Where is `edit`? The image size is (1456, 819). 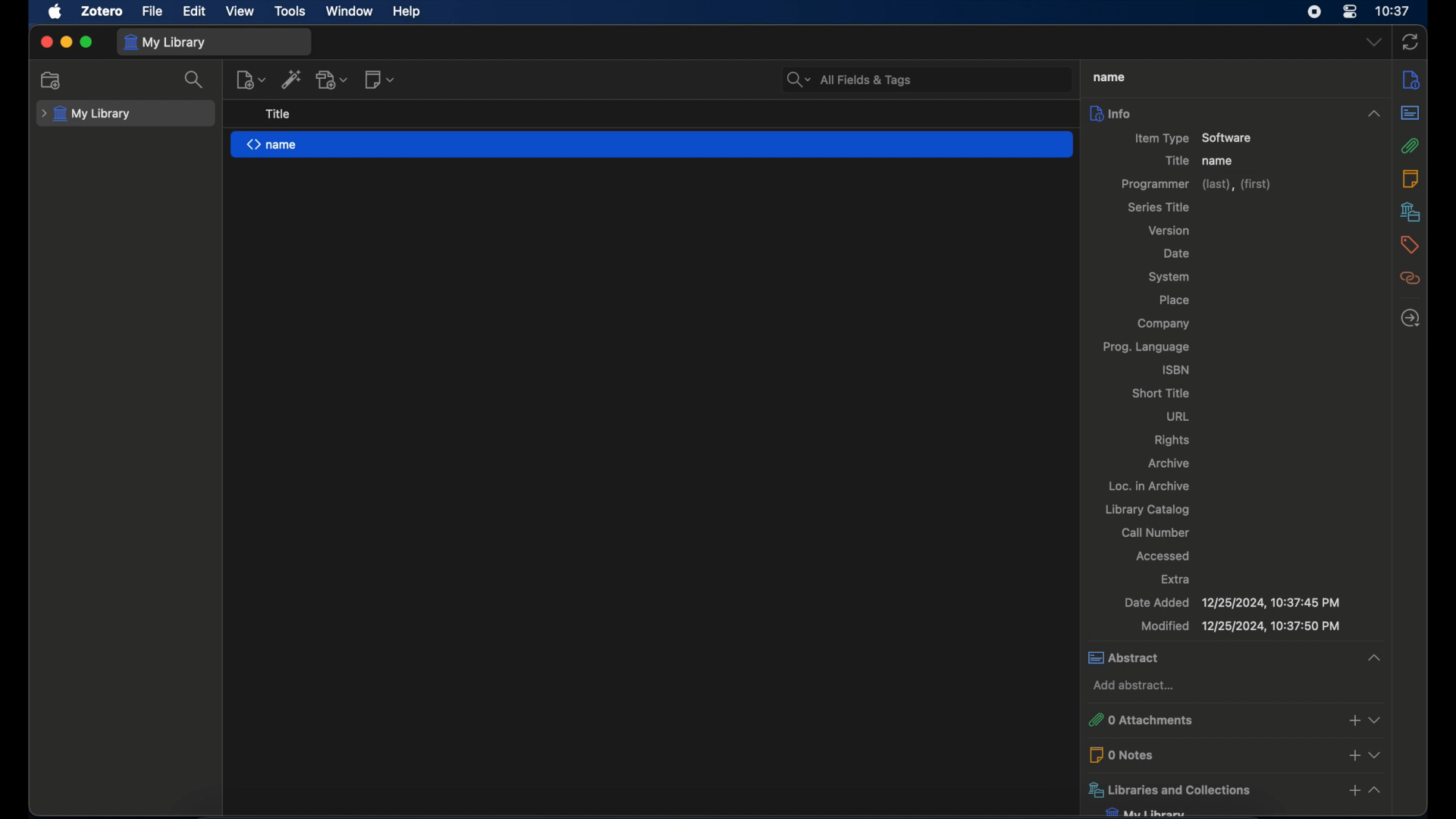 edit is located at coordinates (194, 12).